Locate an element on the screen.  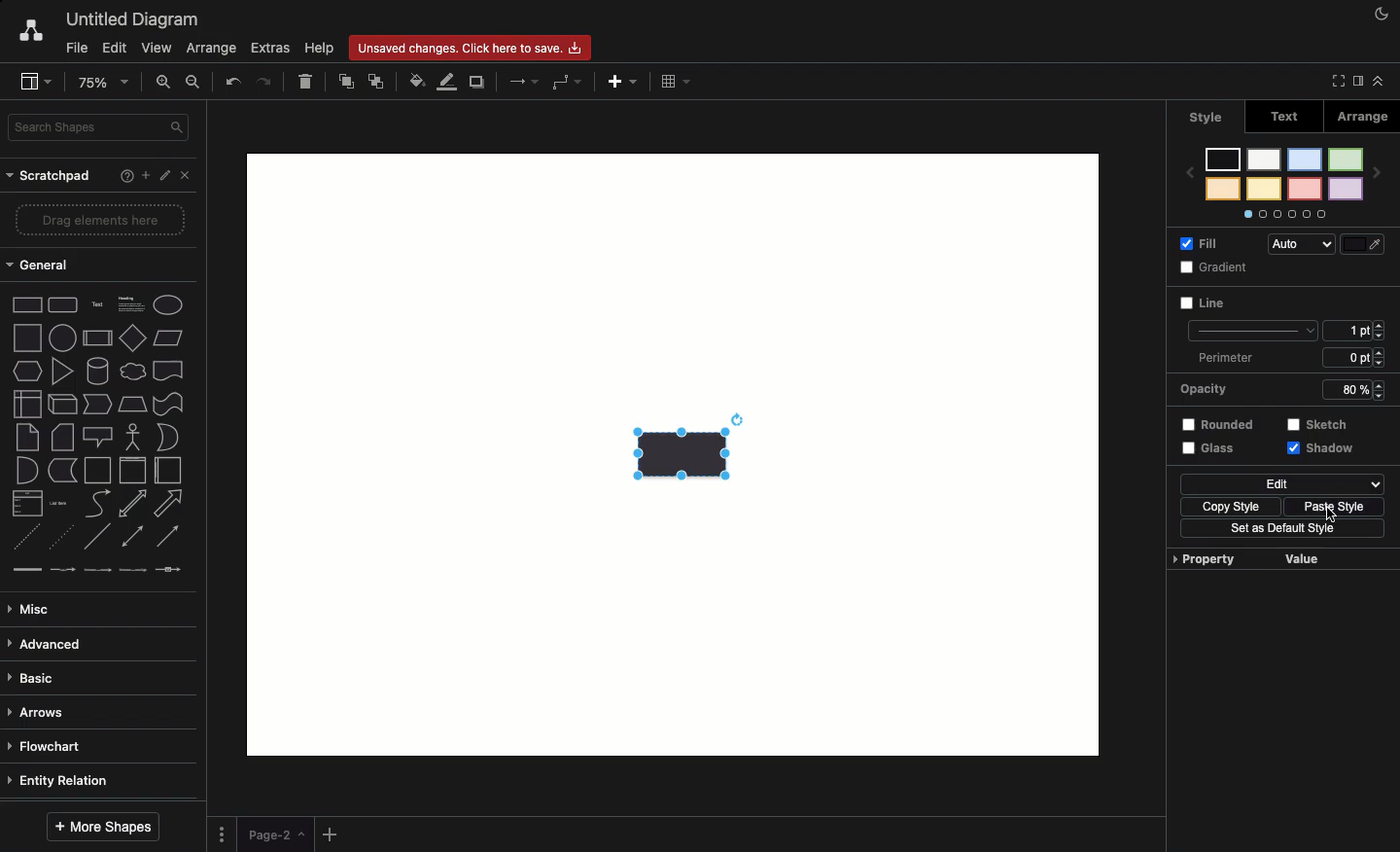
Edit is located at coordinates (1284, 482).